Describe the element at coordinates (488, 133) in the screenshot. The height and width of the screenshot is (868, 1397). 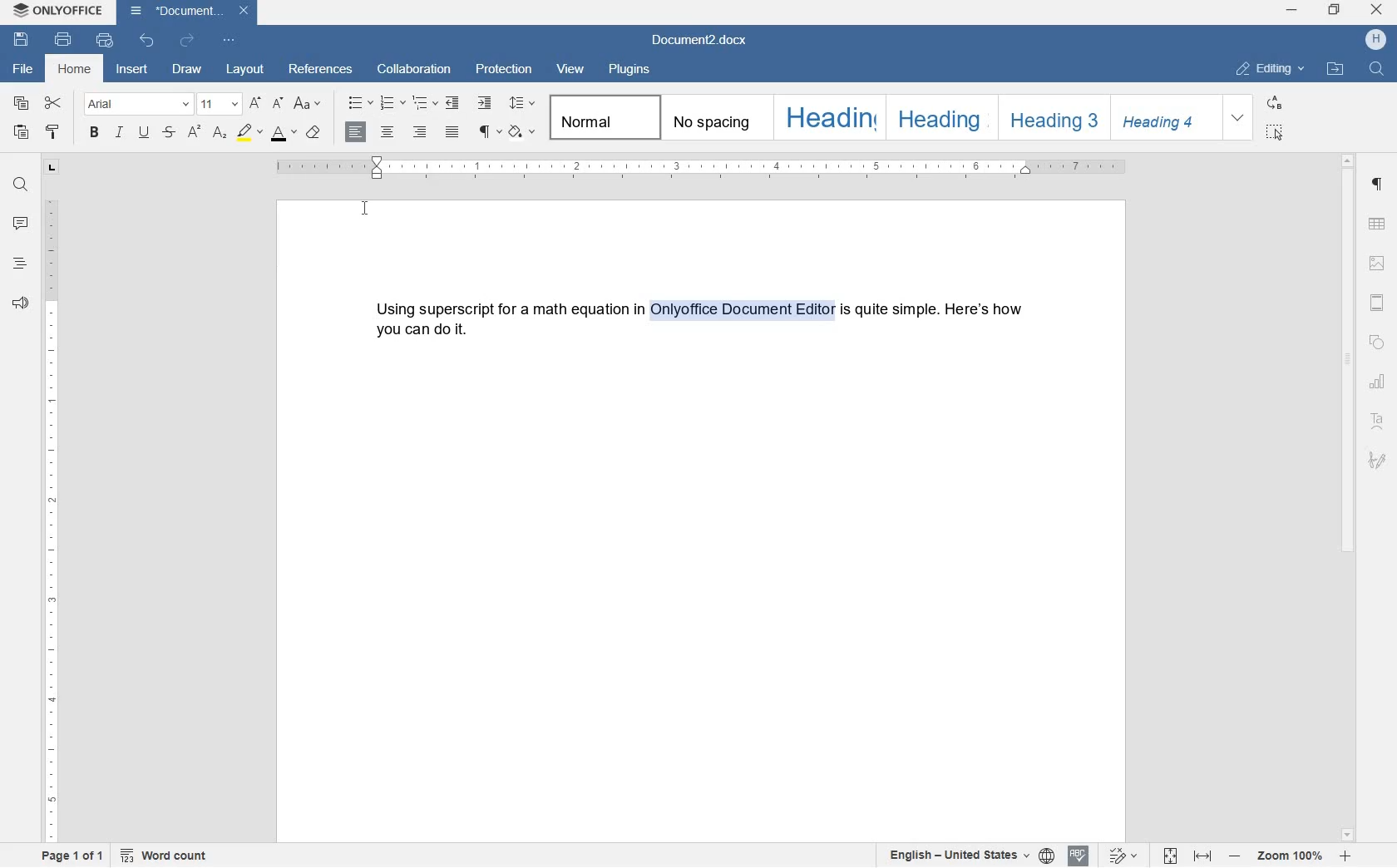
I see `non printing characters` at that location.